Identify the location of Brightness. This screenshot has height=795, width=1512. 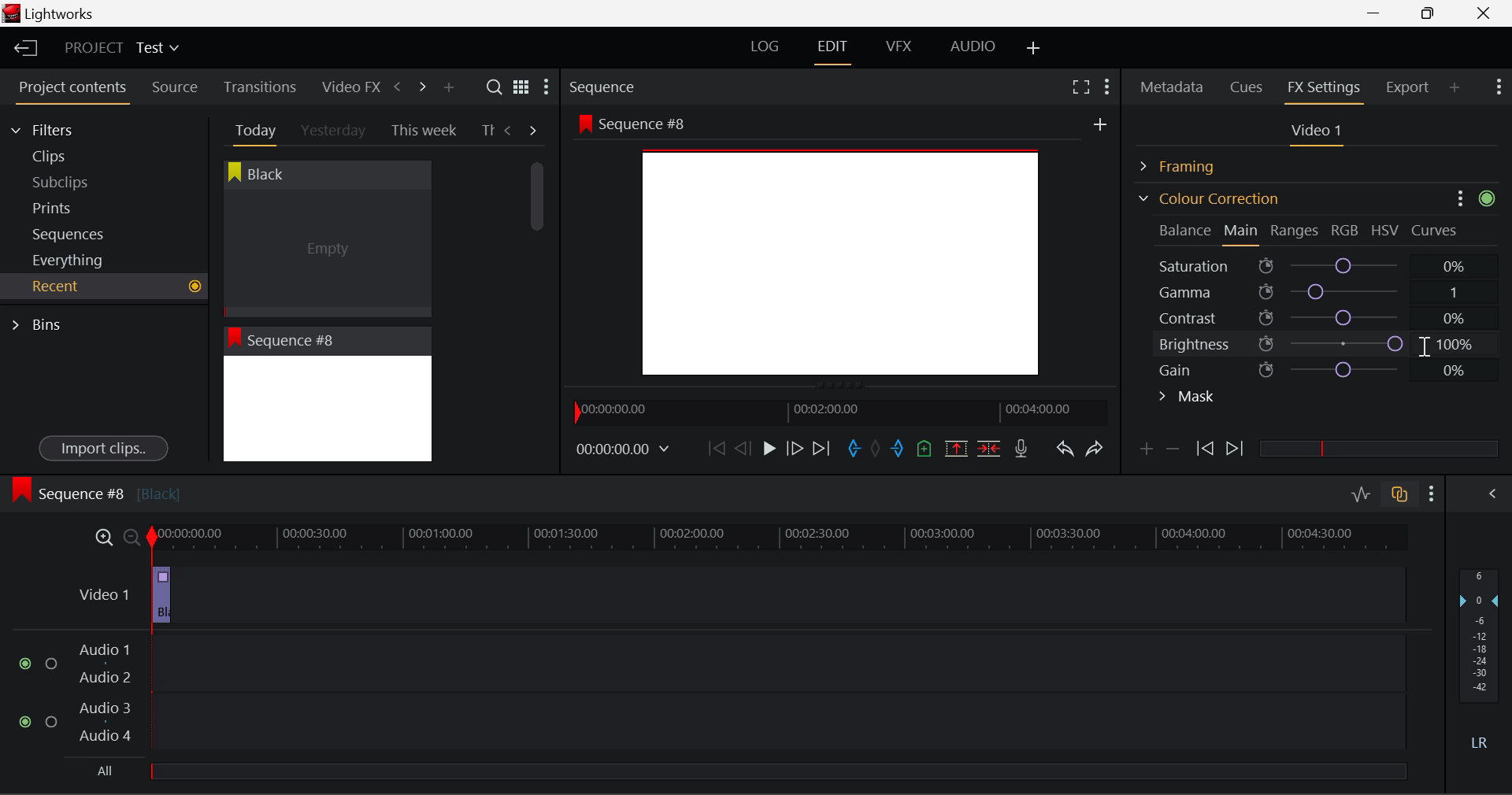
(1318, 341).